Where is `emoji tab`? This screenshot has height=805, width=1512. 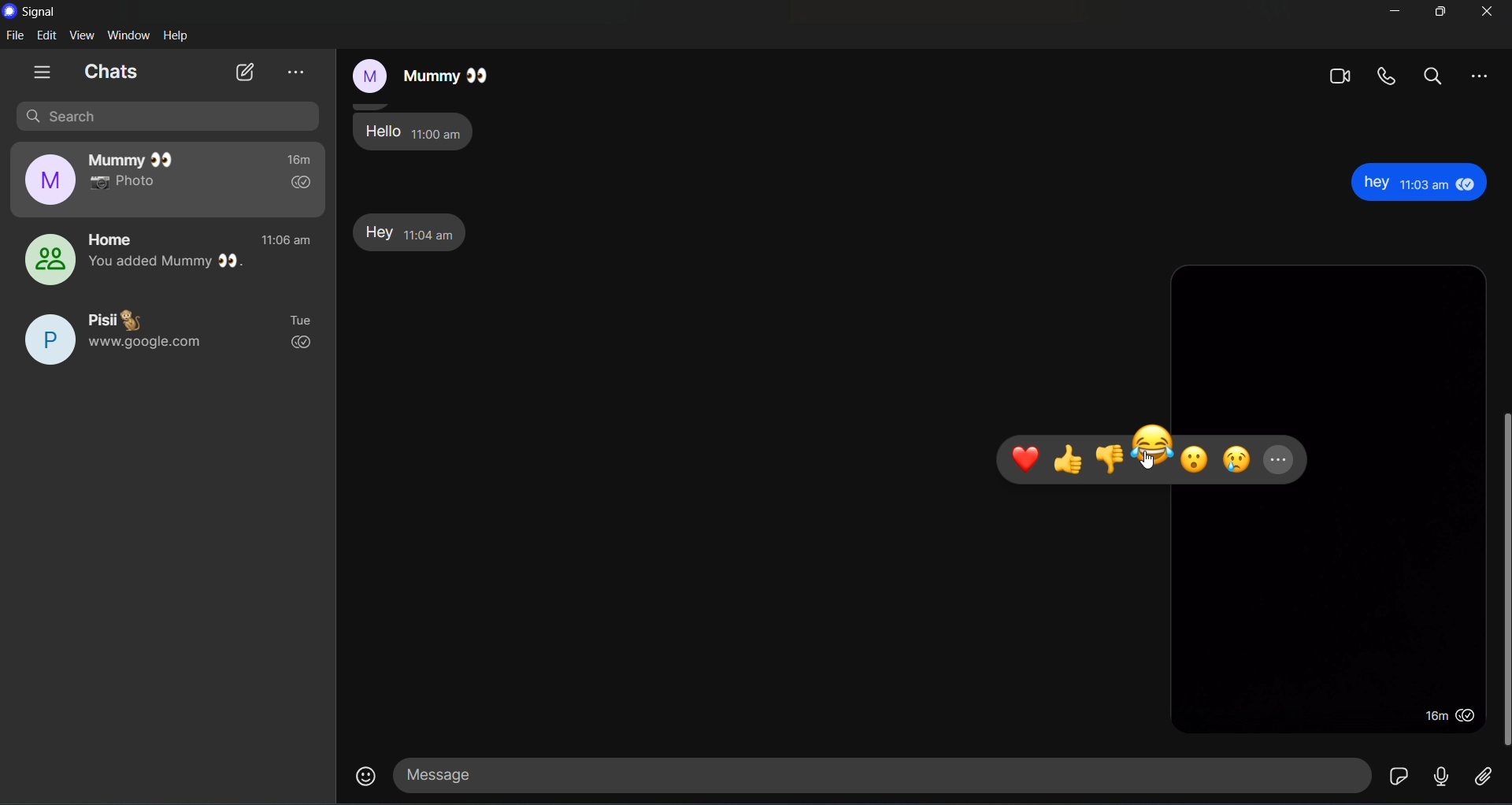
emoji tab is located at coordinates (1154, 454).